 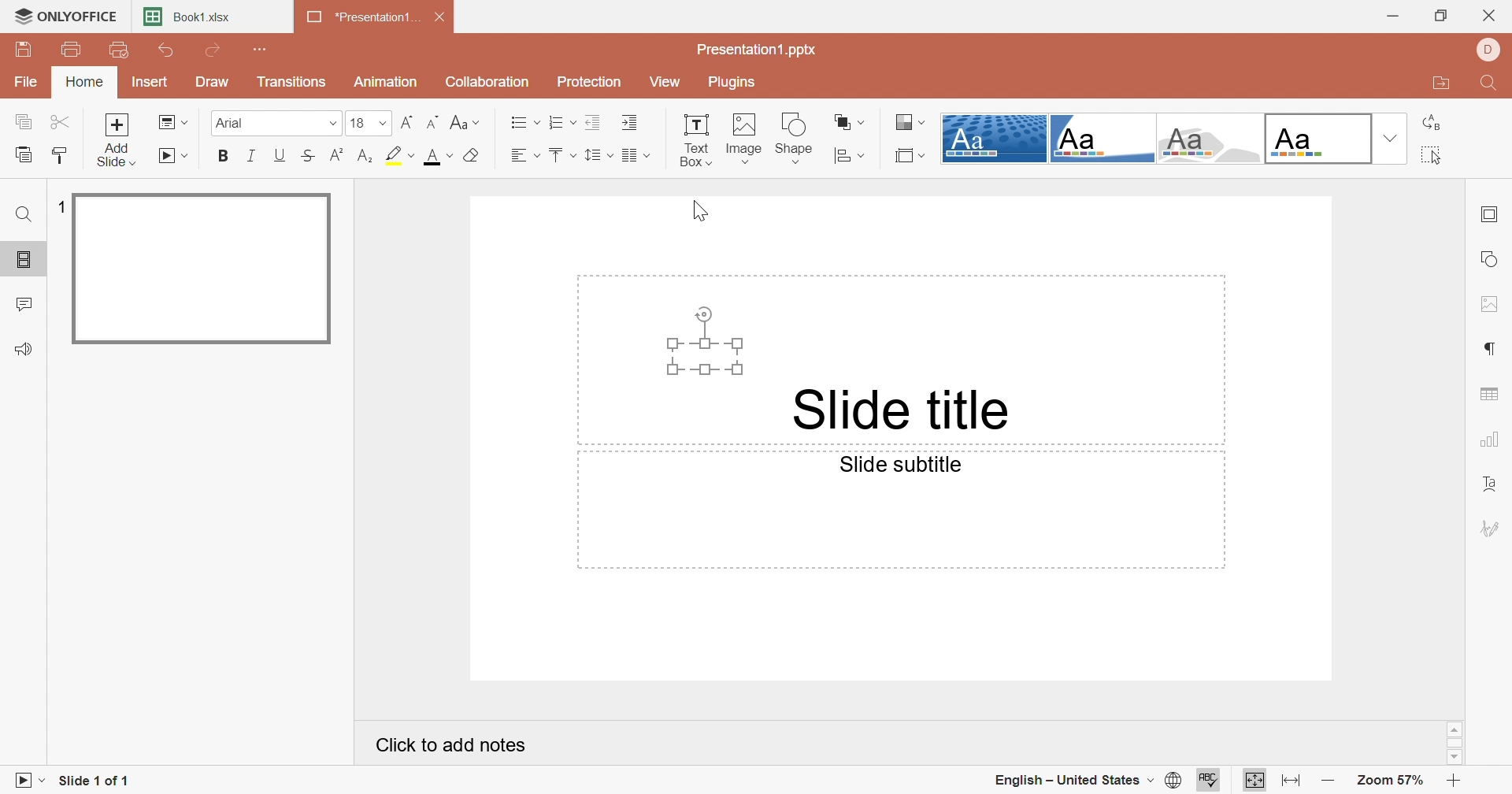 What do you see at coordinates (1492, 441) in the screenshot?
I see `Chart settings` at bounding box center [1492, 441].